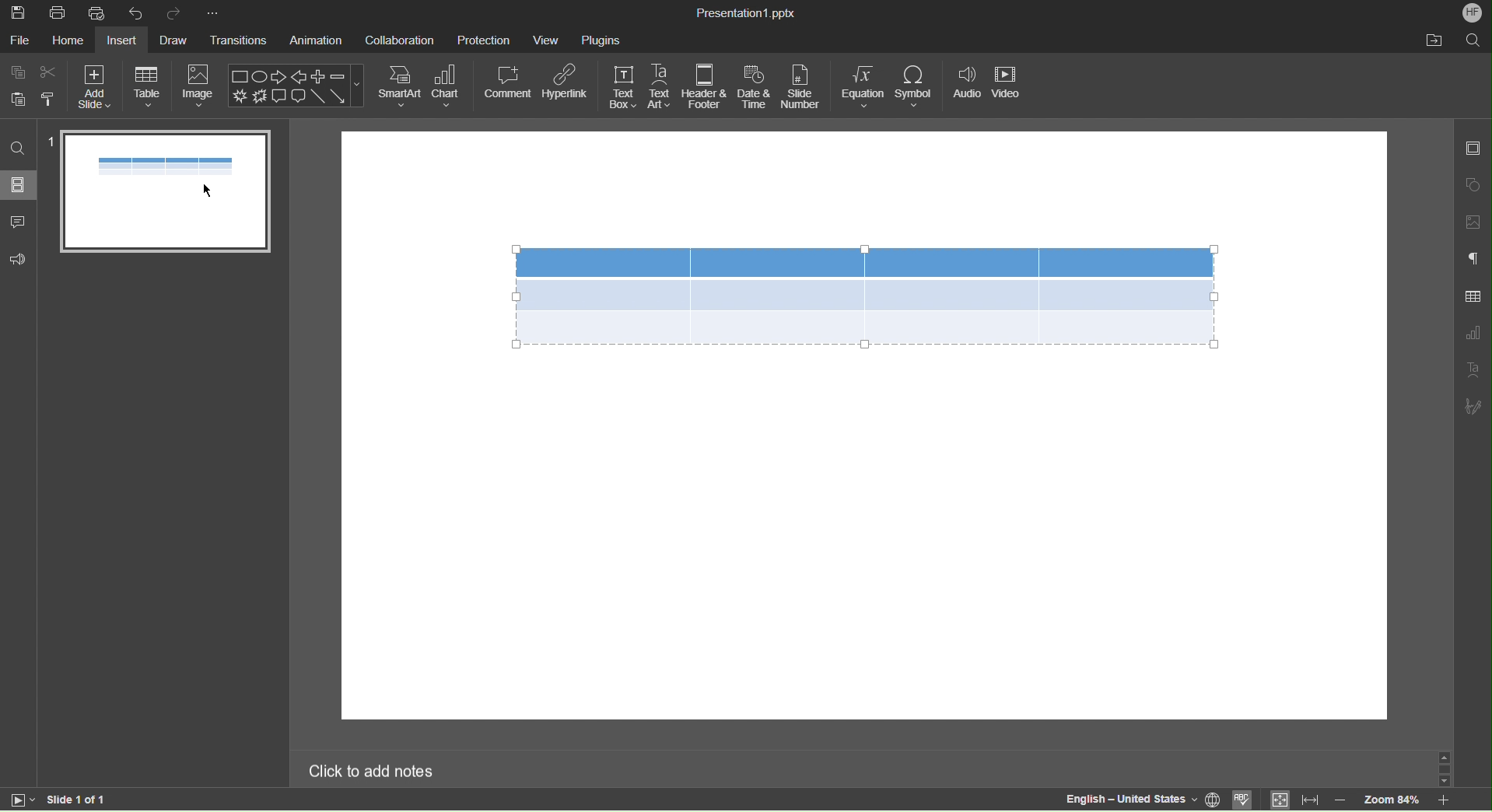  What do you see at coordinates (1311, 799) in the screenshot?
I see `fit to width` at bounding box center [1311, 799].